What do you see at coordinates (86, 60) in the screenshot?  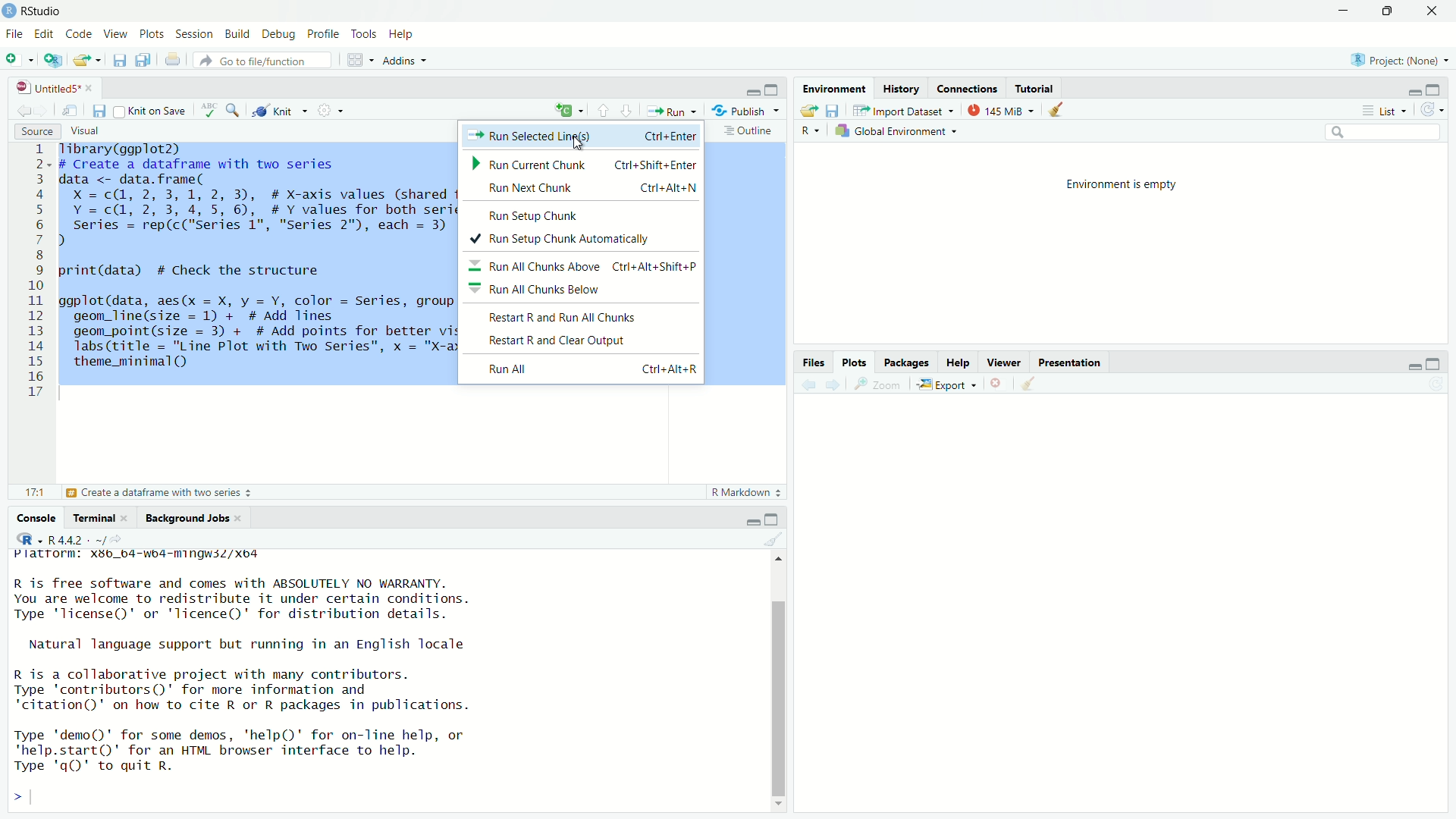 I see `Open an existing file` at bounding box center [86, 60].